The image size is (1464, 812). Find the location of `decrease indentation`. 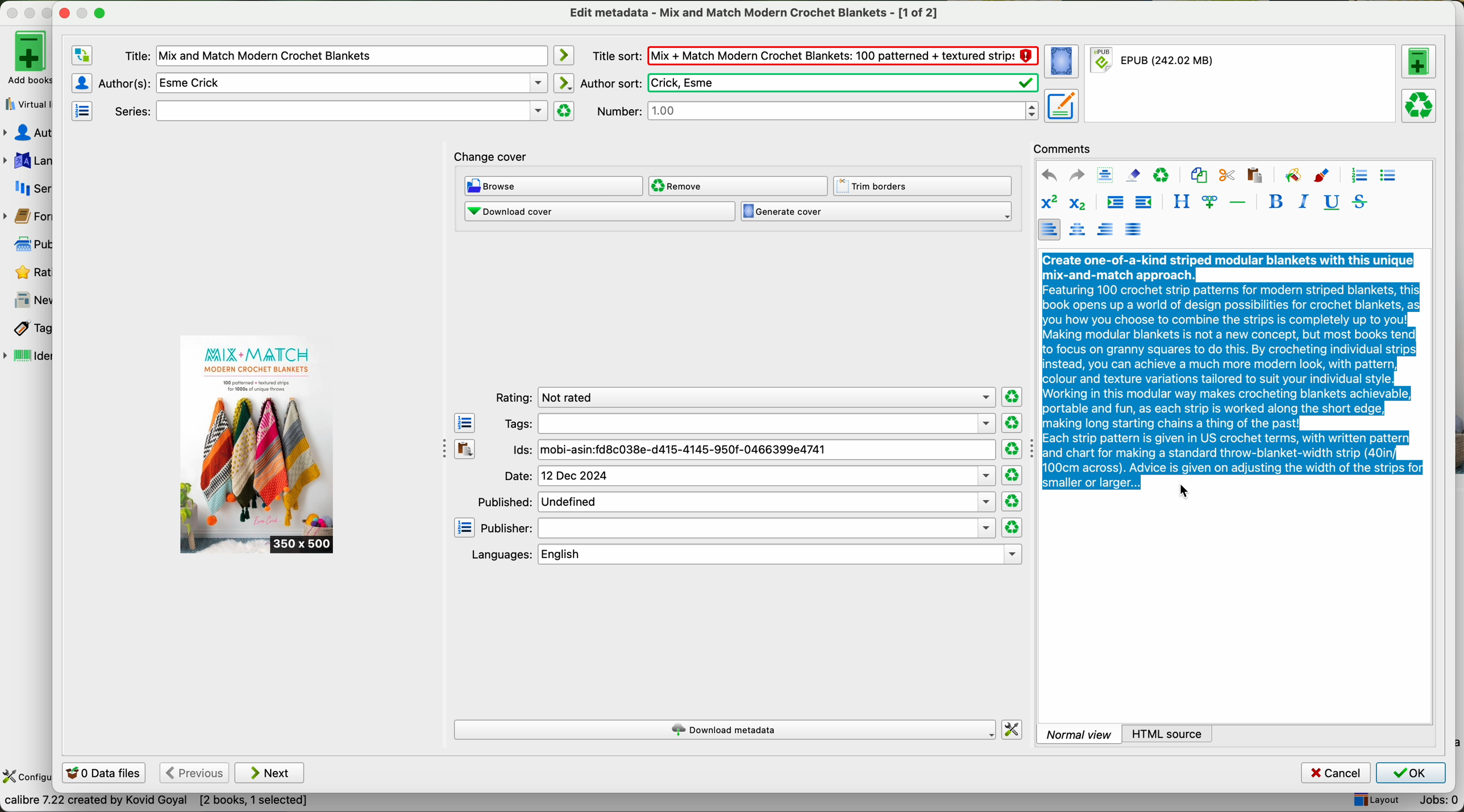

decrease indentation is located at coordinates (1142, 203).